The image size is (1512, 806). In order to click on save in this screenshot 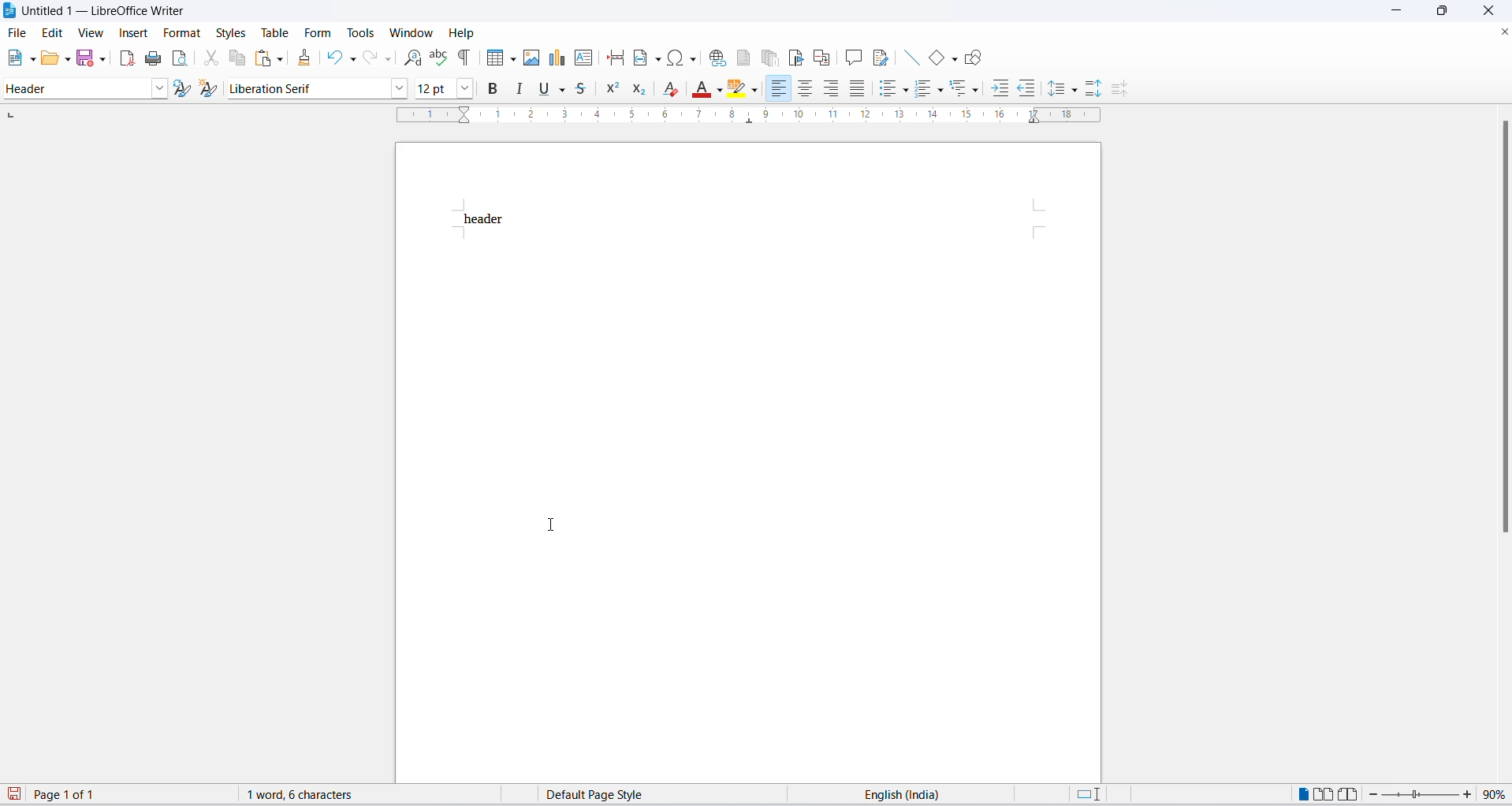, I will do `click(15, 795)`.